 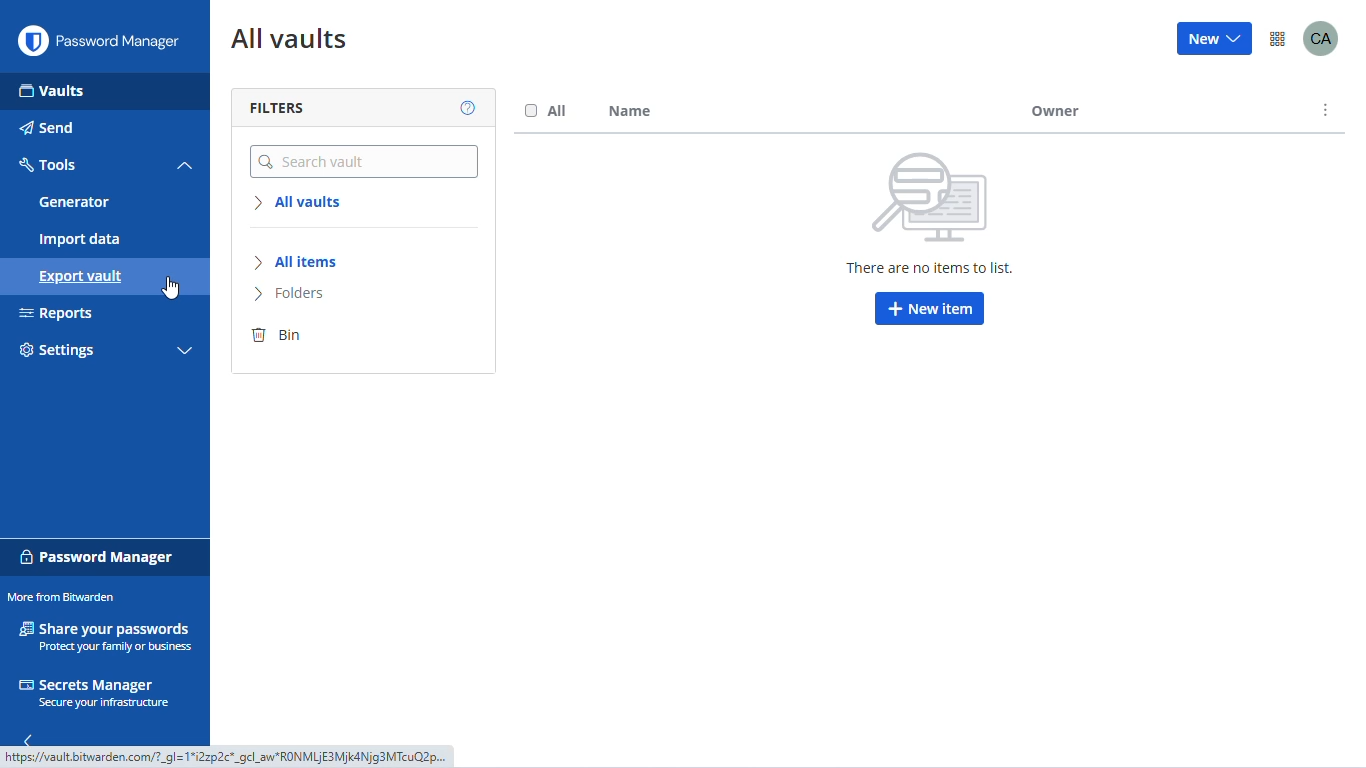 I want to click on link, so click(x=228, y=759).